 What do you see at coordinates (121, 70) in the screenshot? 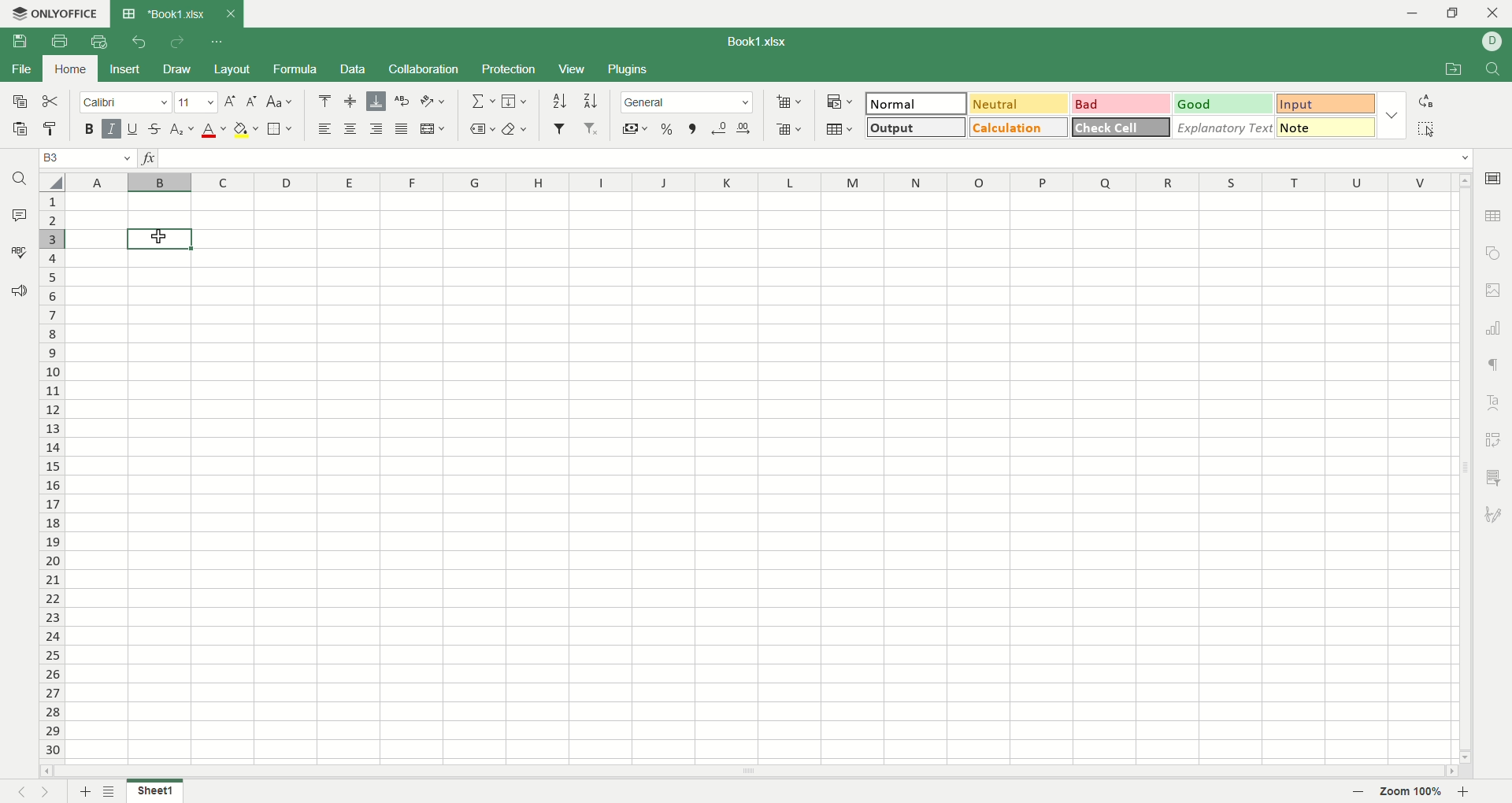
I see `insert` at bounding box center [121, 70].